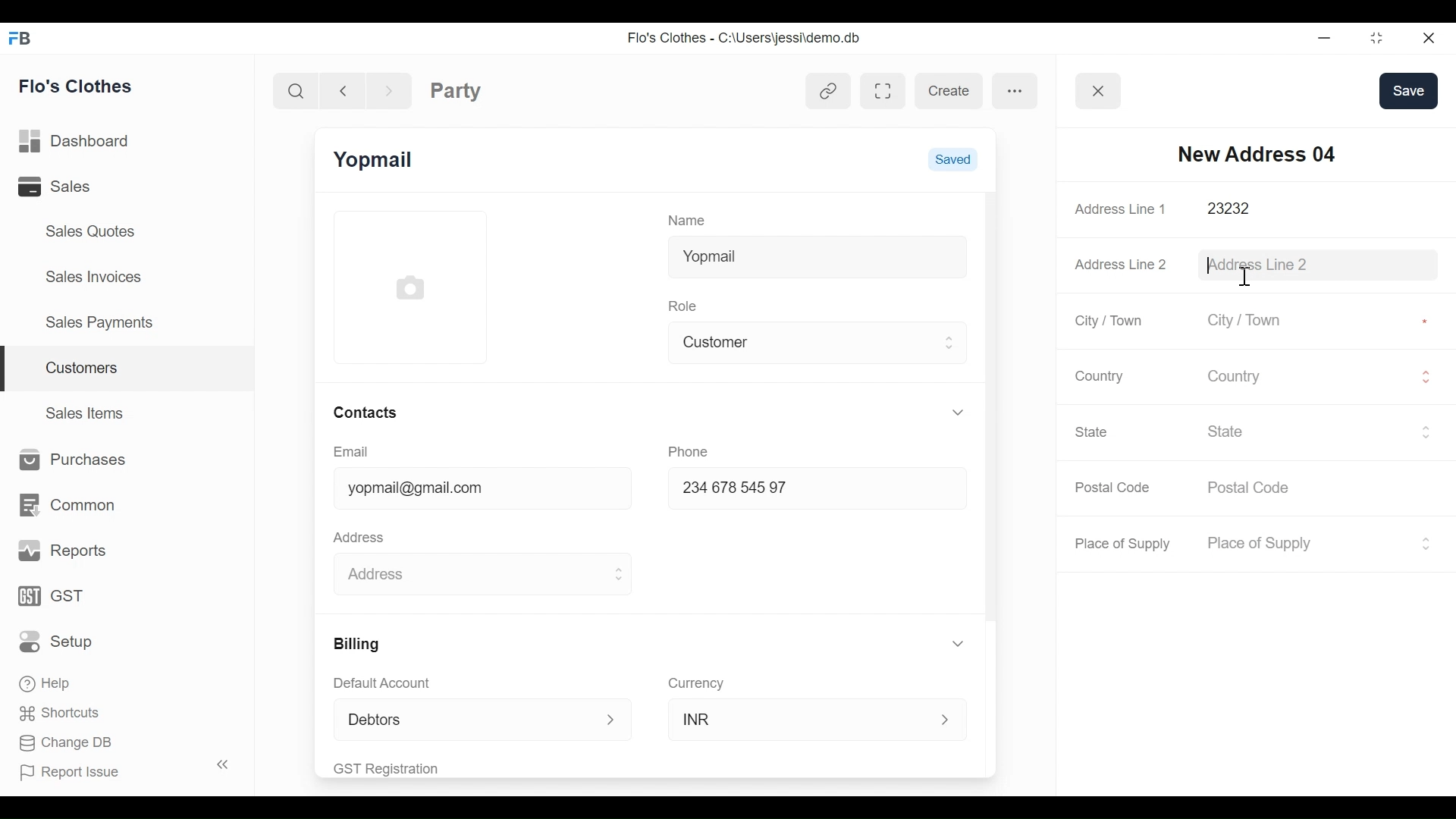 The width and height of the screenshot is (1456, 819). Describe the element at coordinates (952, 158) in the screenshot. I see `Saved` at that location.